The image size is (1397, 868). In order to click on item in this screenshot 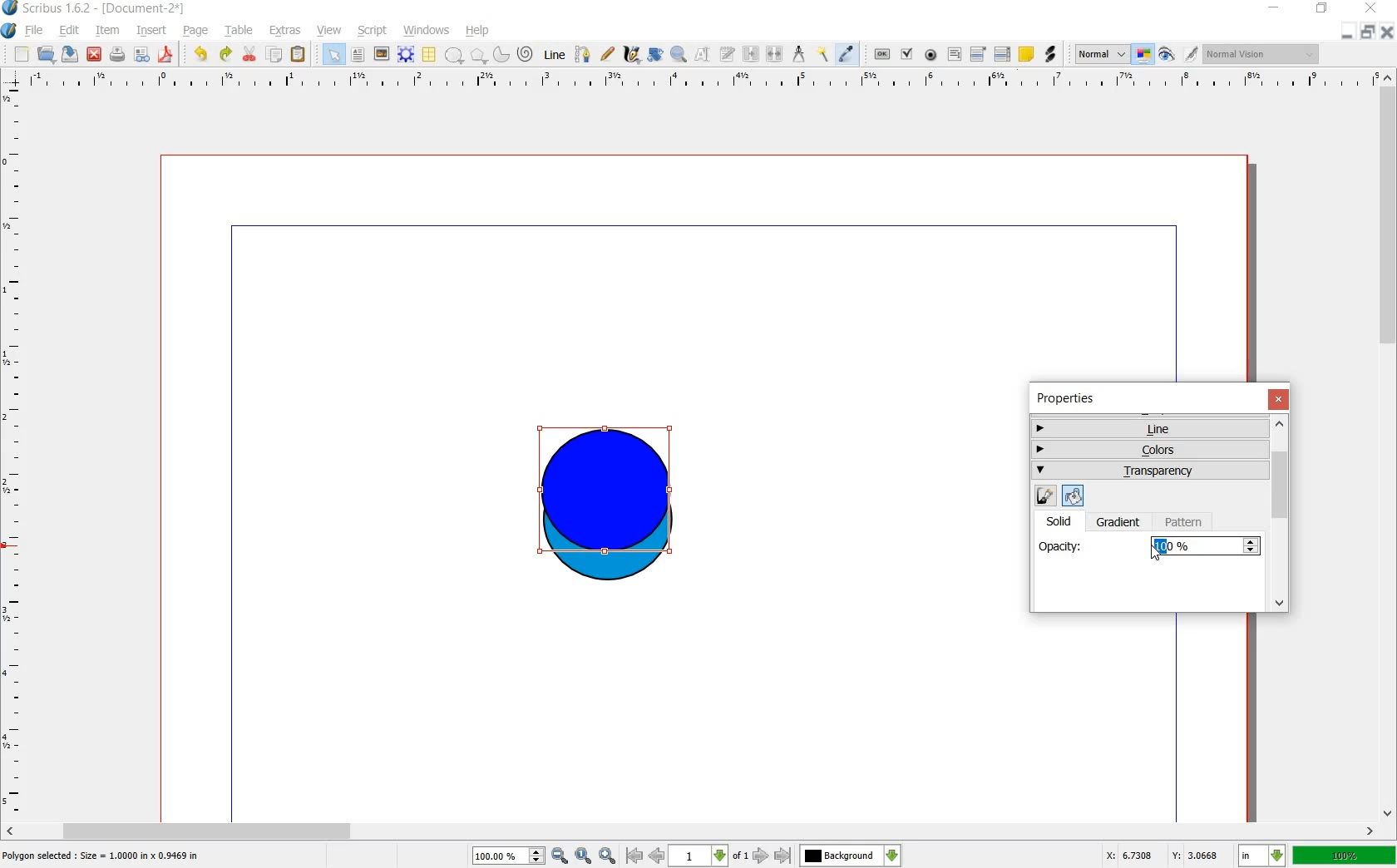, I will do `click(108, 31)`.